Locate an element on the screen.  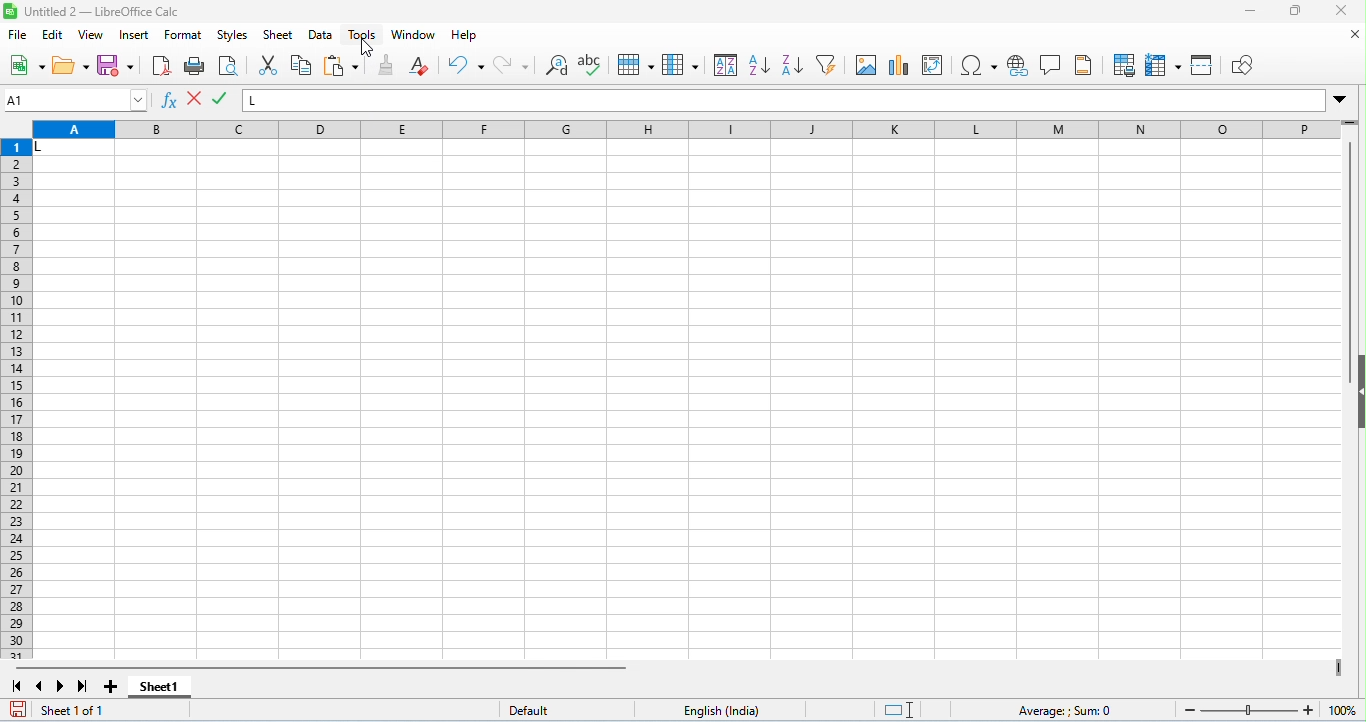
paste is located at coordinates (342, 67).